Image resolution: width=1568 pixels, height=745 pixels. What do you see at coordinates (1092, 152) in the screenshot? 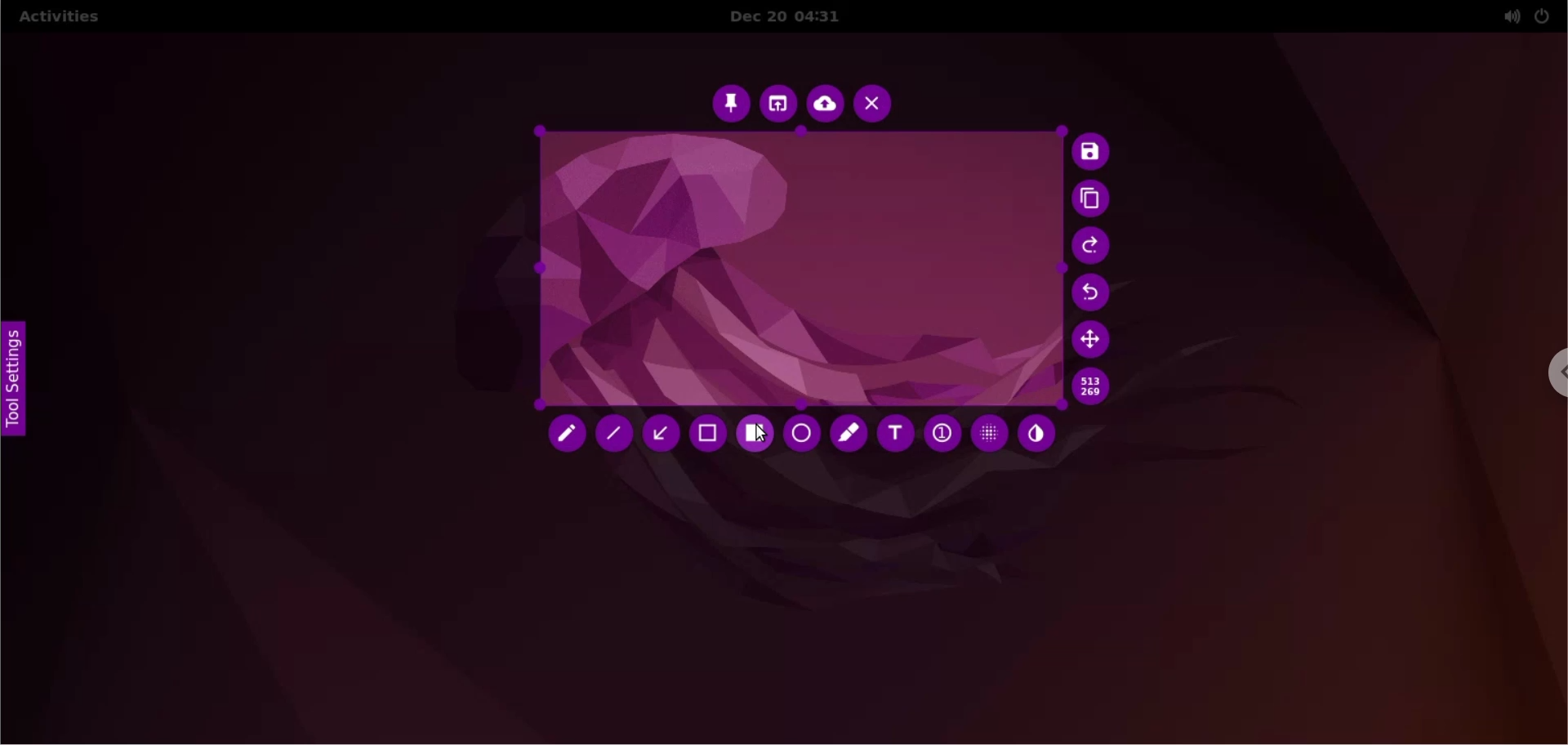
I see `save` at bounding box center [1092, 152].